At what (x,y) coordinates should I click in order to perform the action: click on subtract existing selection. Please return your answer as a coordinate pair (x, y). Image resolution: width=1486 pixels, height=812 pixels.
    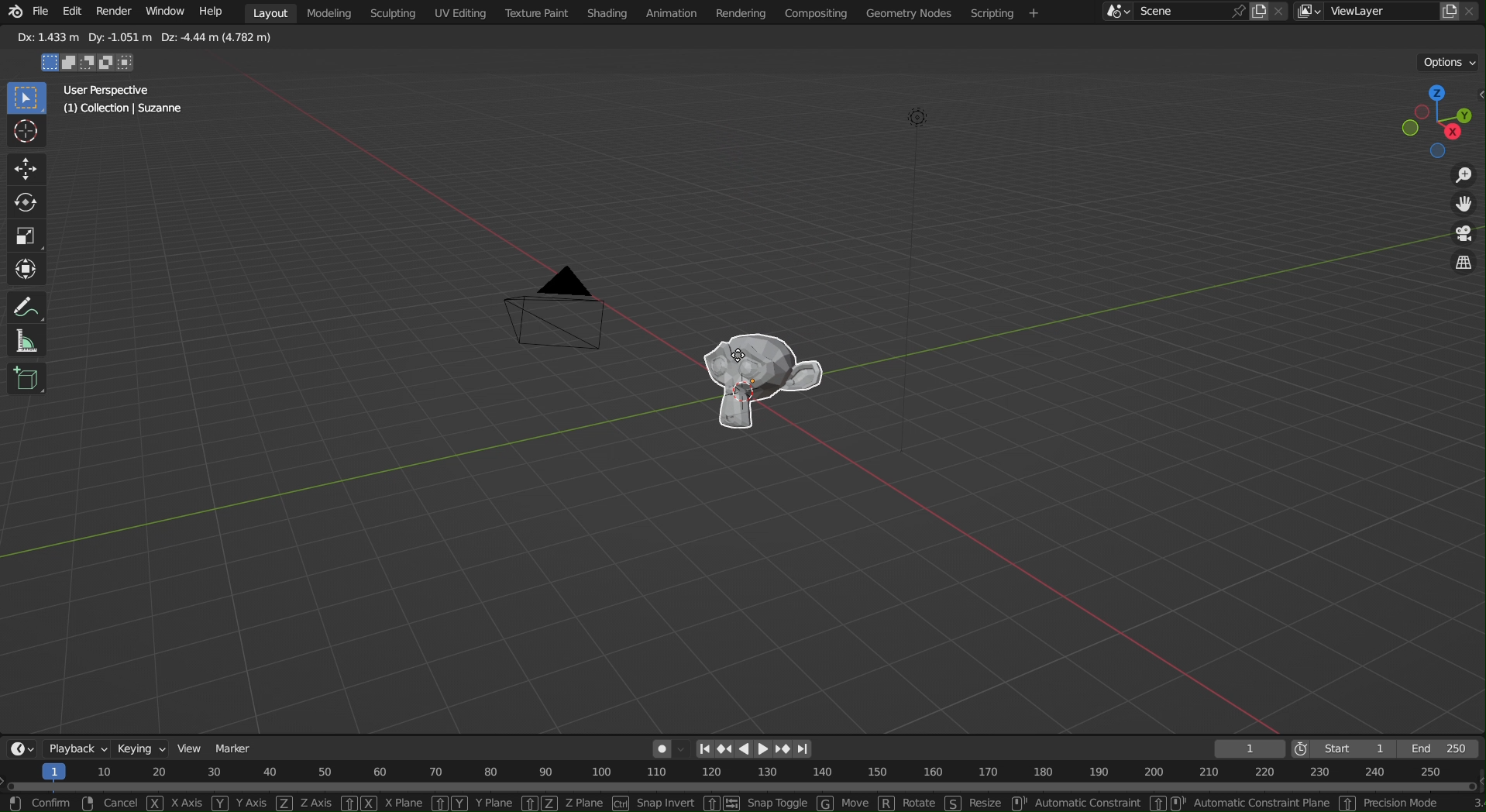
    Looking at the image, I should click on (90, 65).